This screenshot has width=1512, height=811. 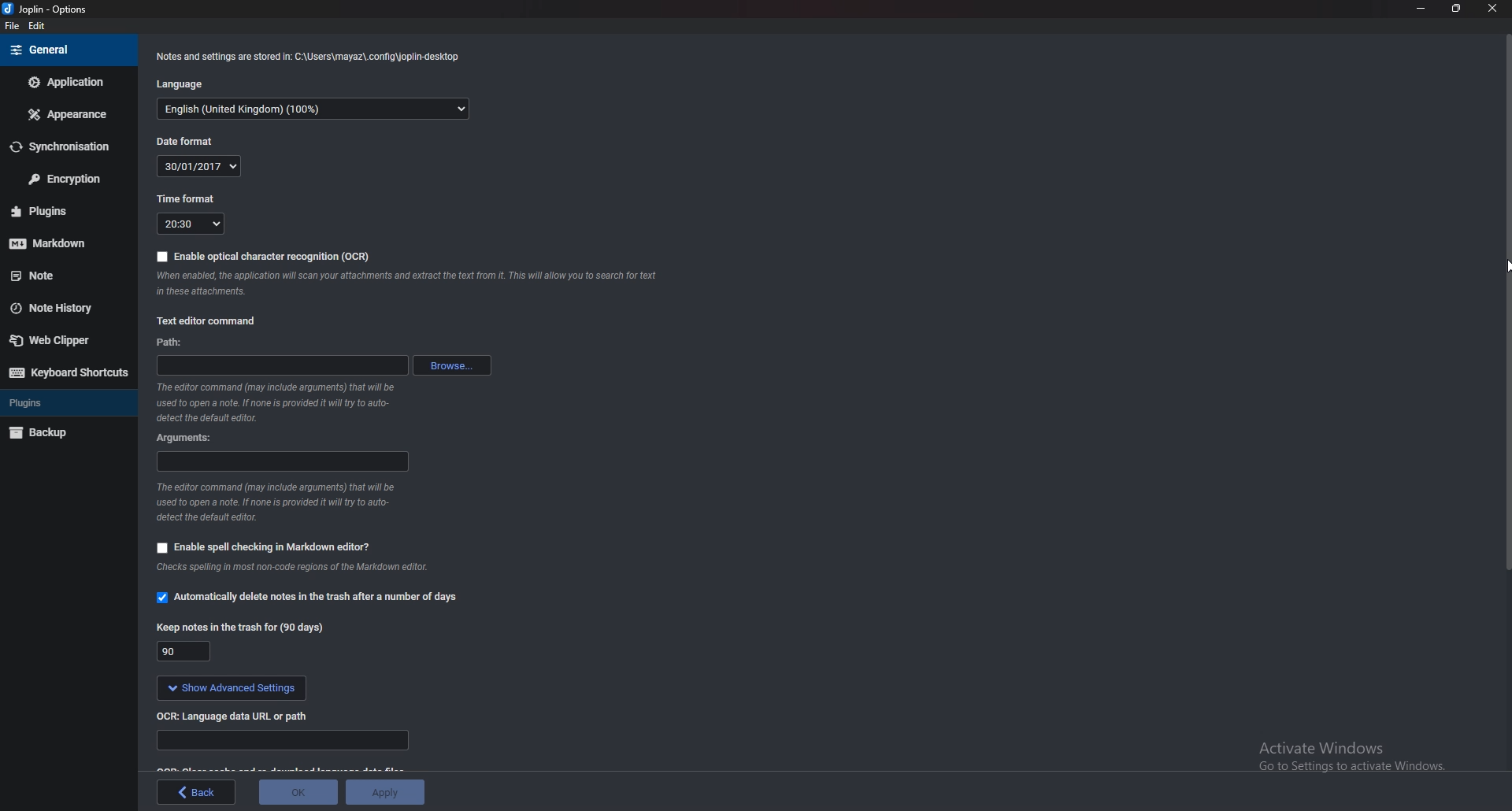 What do you see at coordinates (70, 177) in the screenshot?
I see `Encryption` at bounding box center [70, 177].